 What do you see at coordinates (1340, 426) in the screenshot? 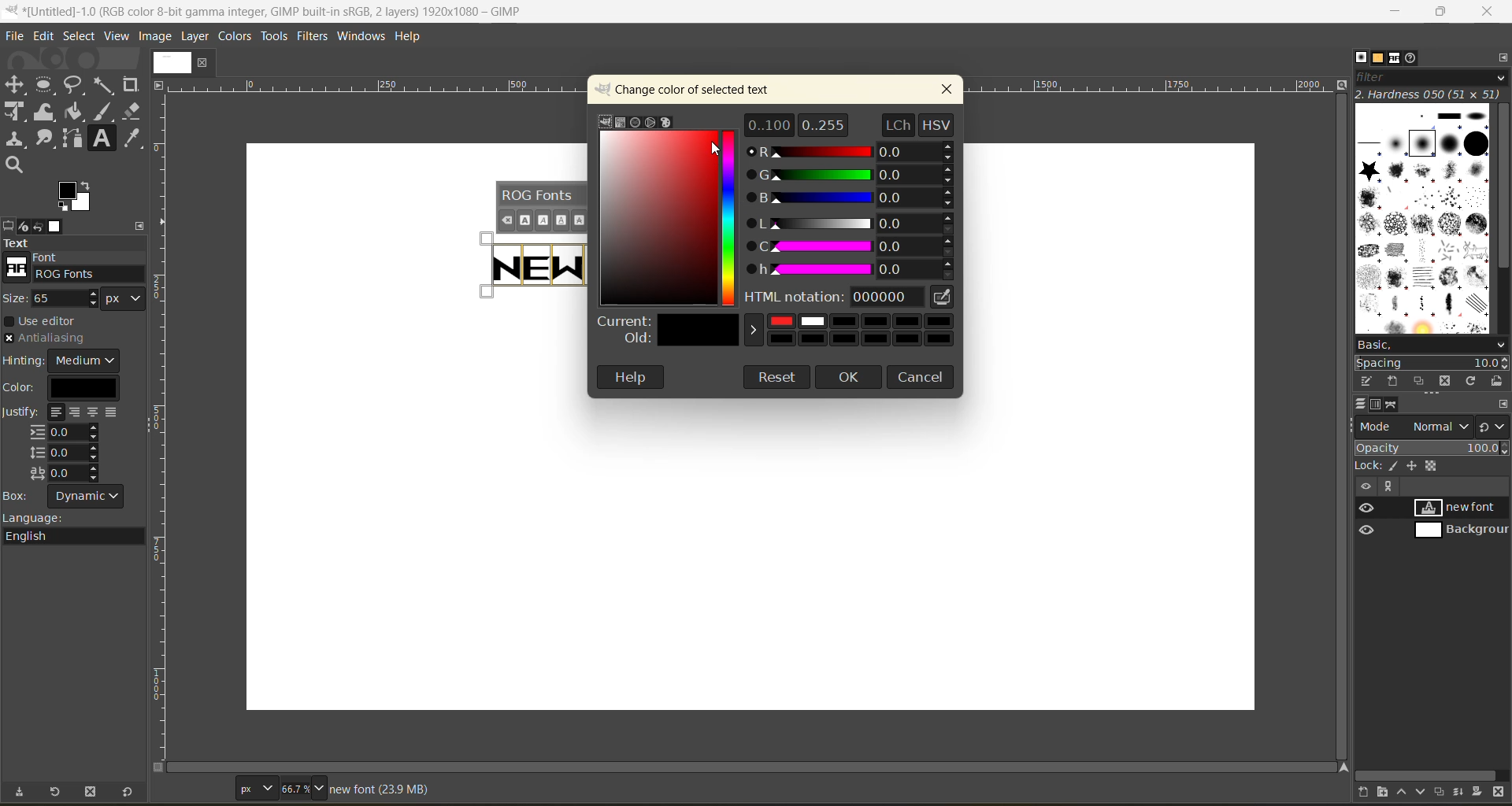
I see `vertical scroll bar` at bounding box center [1340, 426].